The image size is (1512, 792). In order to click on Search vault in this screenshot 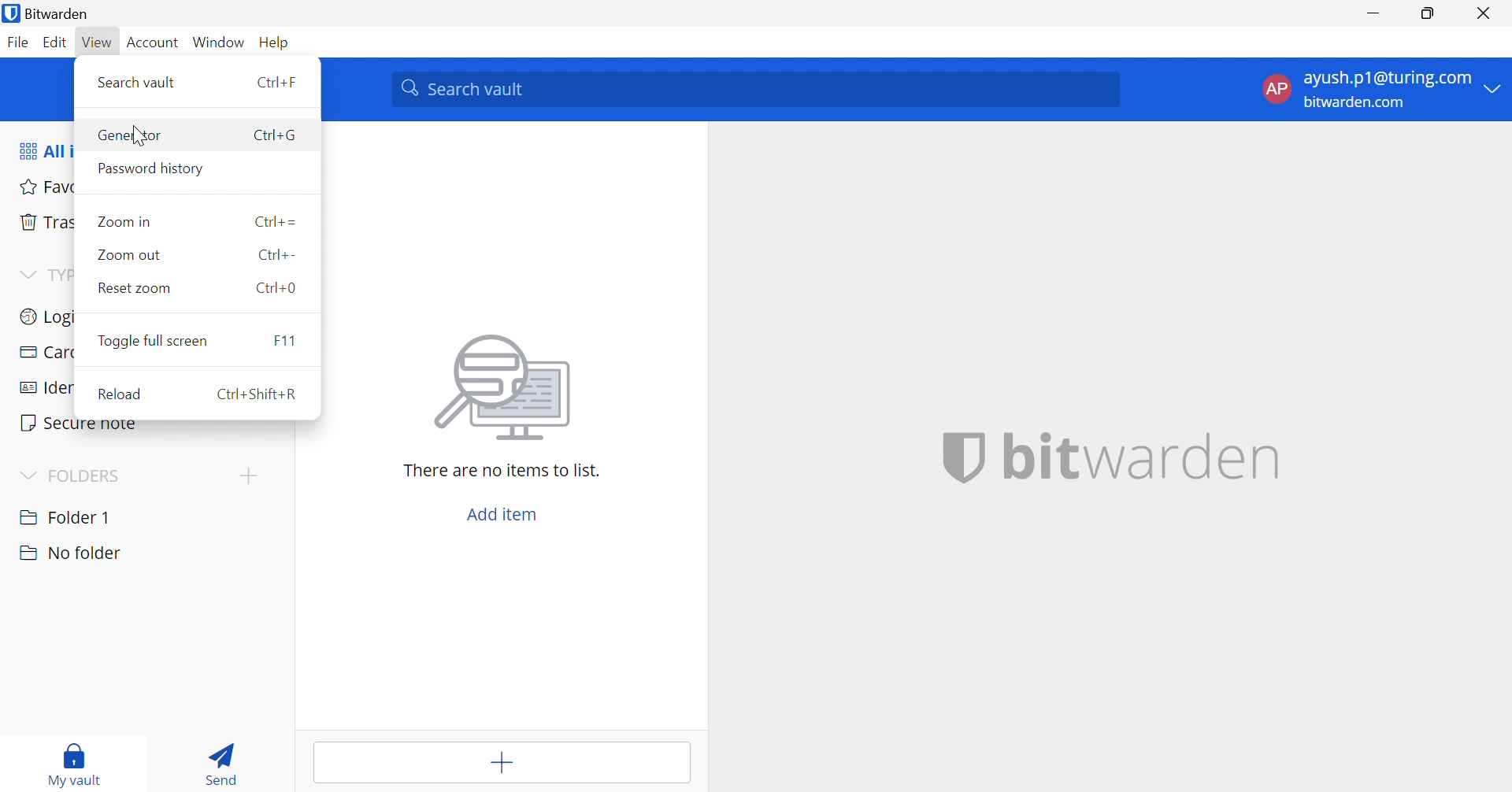, I will do `click(138, 83)`.